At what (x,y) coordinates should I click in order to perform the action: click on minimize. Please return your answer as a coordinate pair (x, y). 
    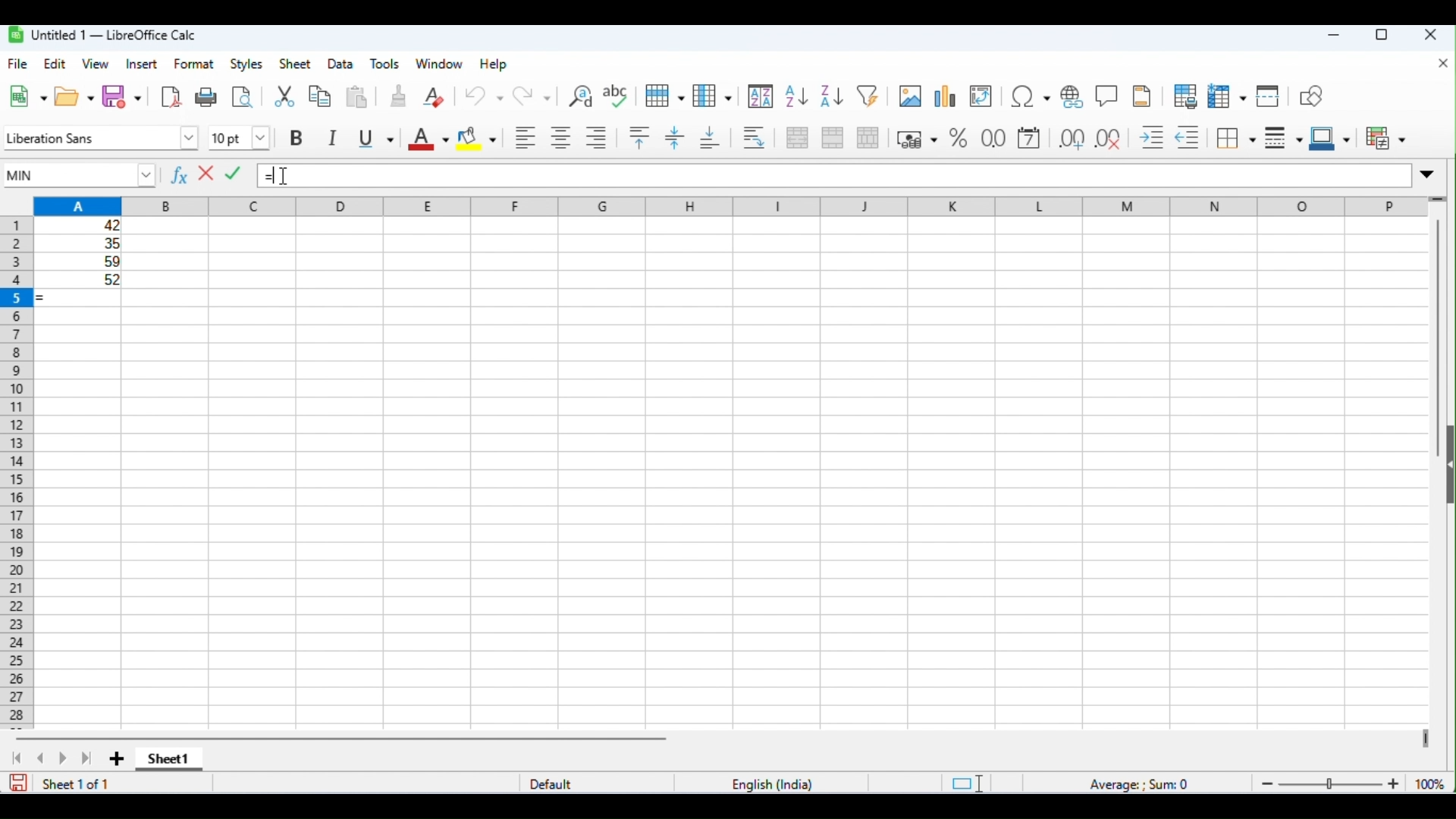
    Looking at the image, I should click on (1334, 36).